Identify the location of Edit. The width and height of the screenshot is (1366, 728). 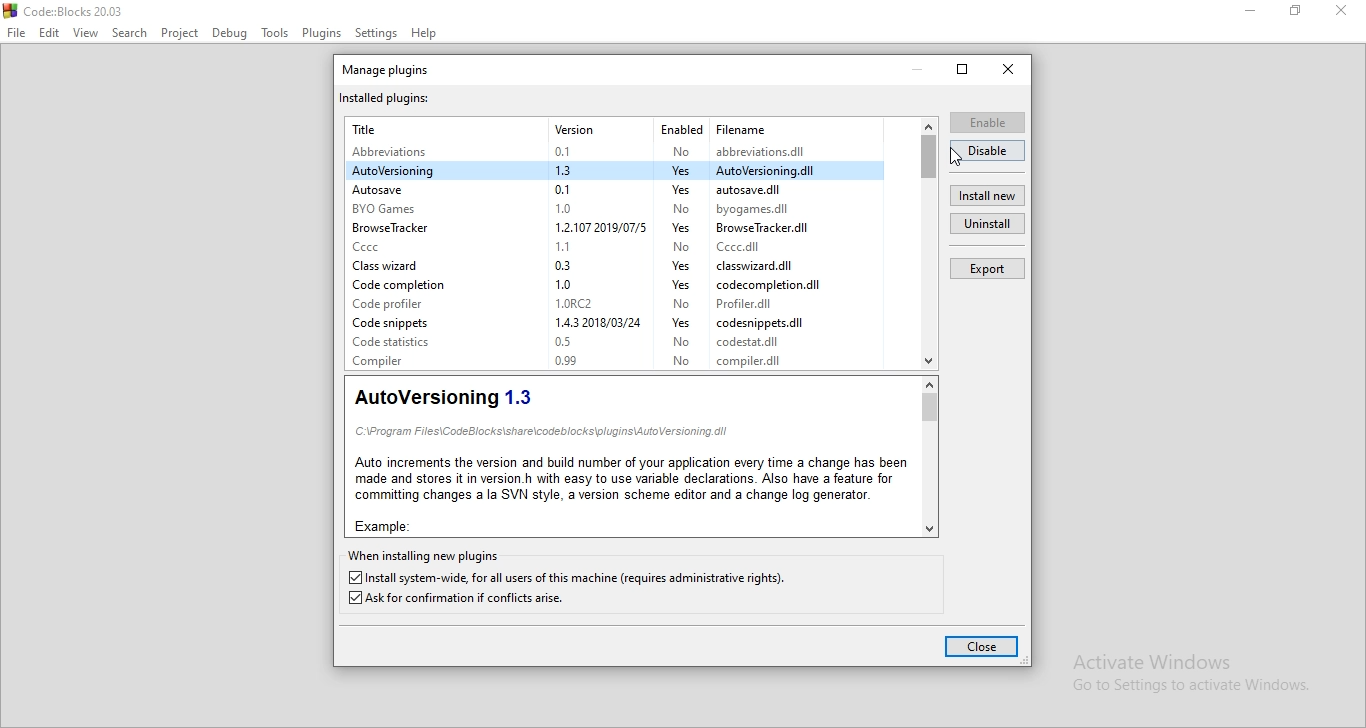
(49, 33).